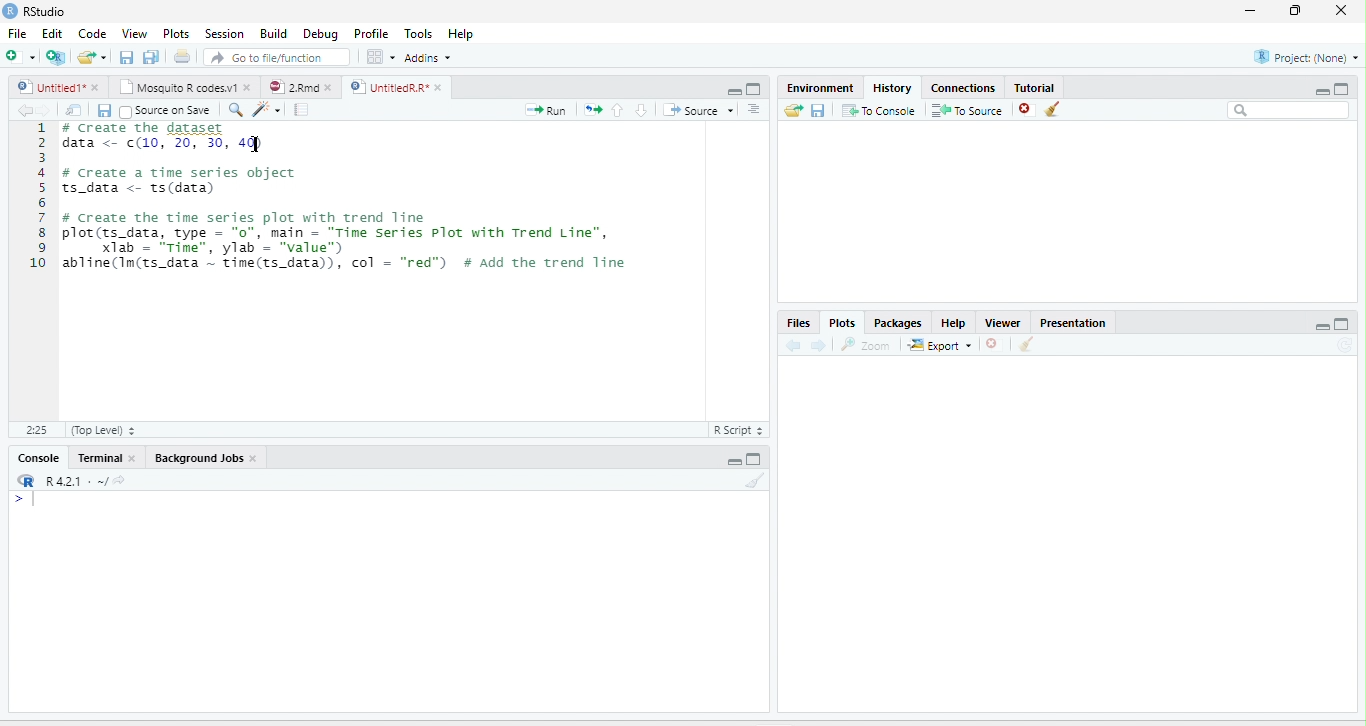 The height and width of the screenshot is (726, 1366). Describe the element at coordinates (841, 323) in the screenshot. I see `Plots` at that location.